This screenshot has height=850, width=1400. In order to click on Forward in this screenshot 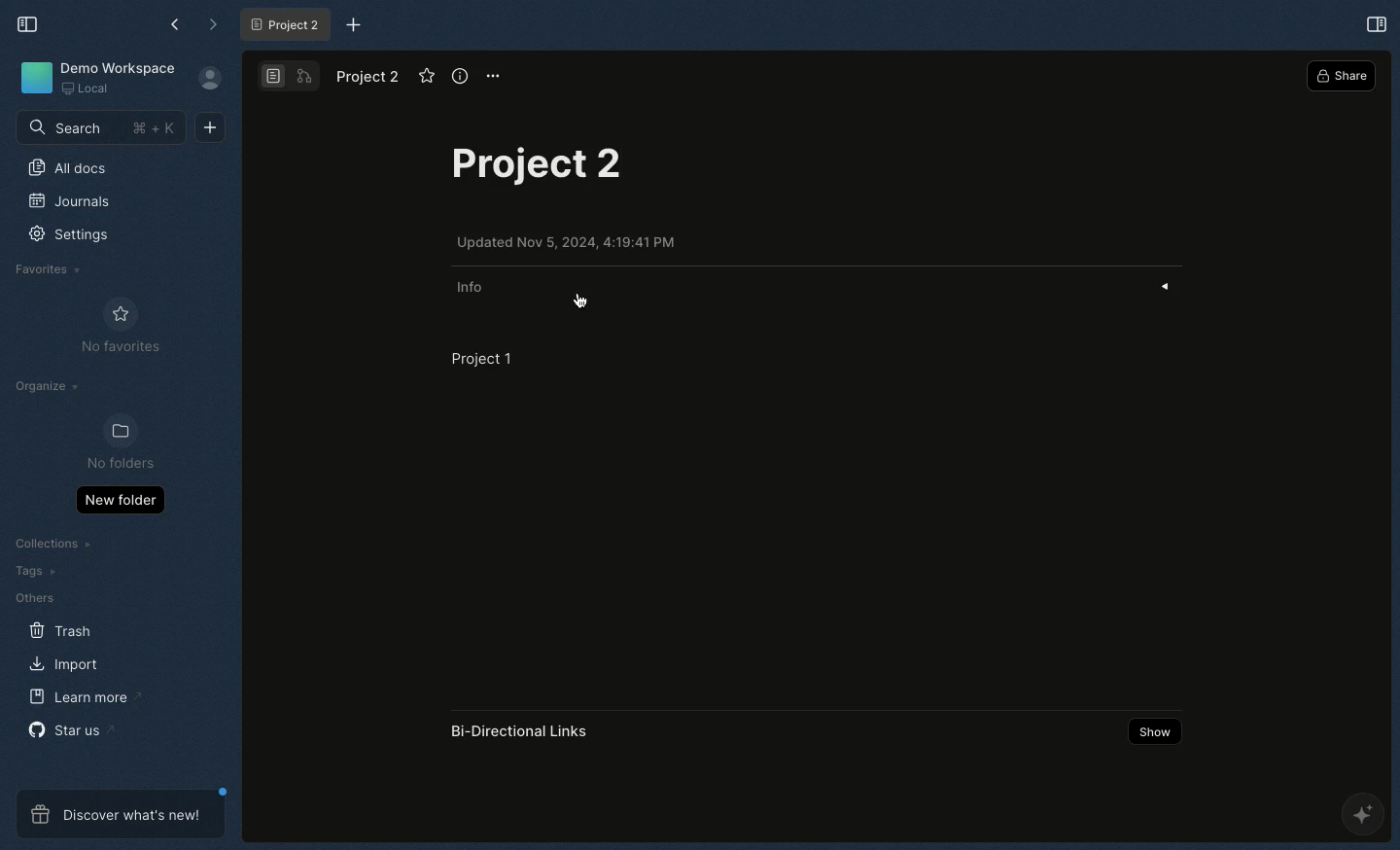, I will do `click(209, 25)`.